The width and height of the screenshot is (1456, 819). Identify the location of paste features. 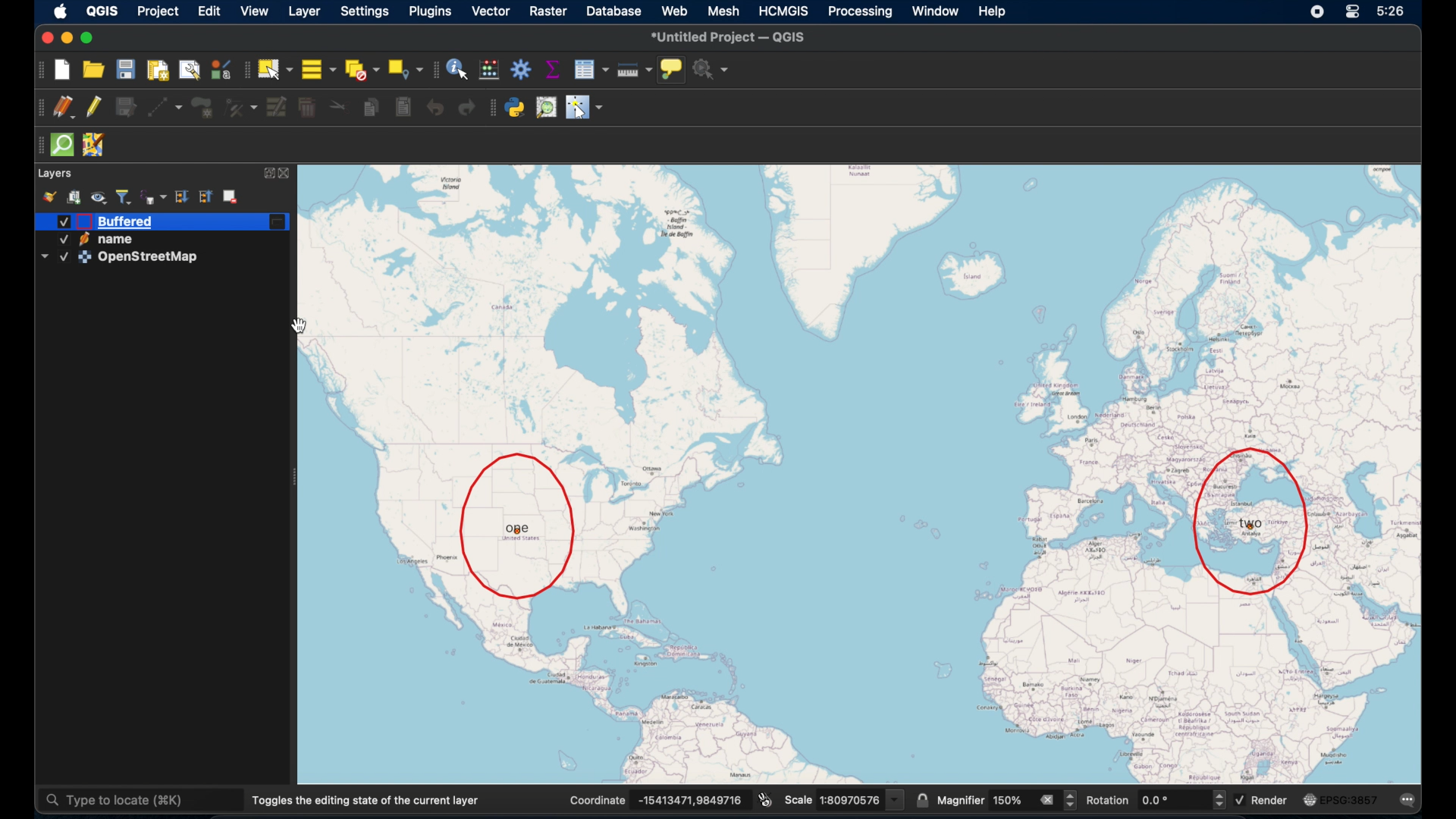
(403, 108).